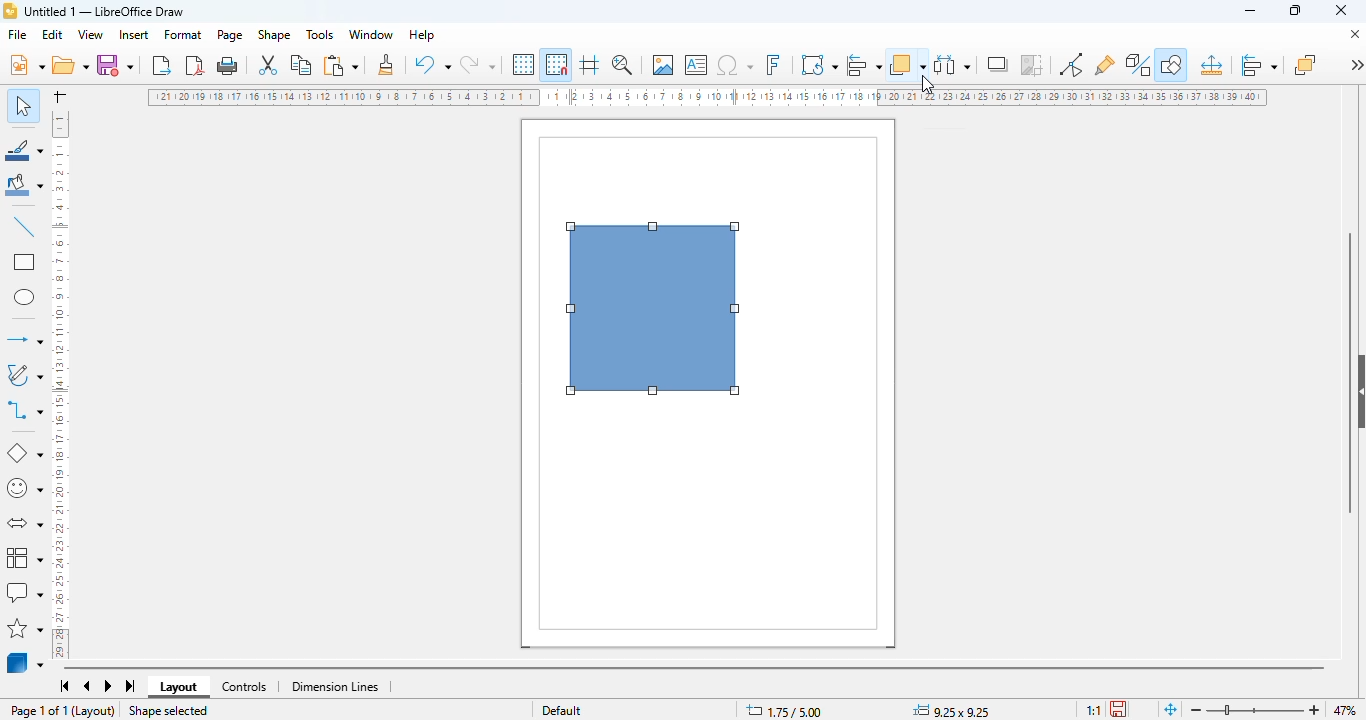 The image size is (1366, 720). I want to click on show, so click(1357, 392).